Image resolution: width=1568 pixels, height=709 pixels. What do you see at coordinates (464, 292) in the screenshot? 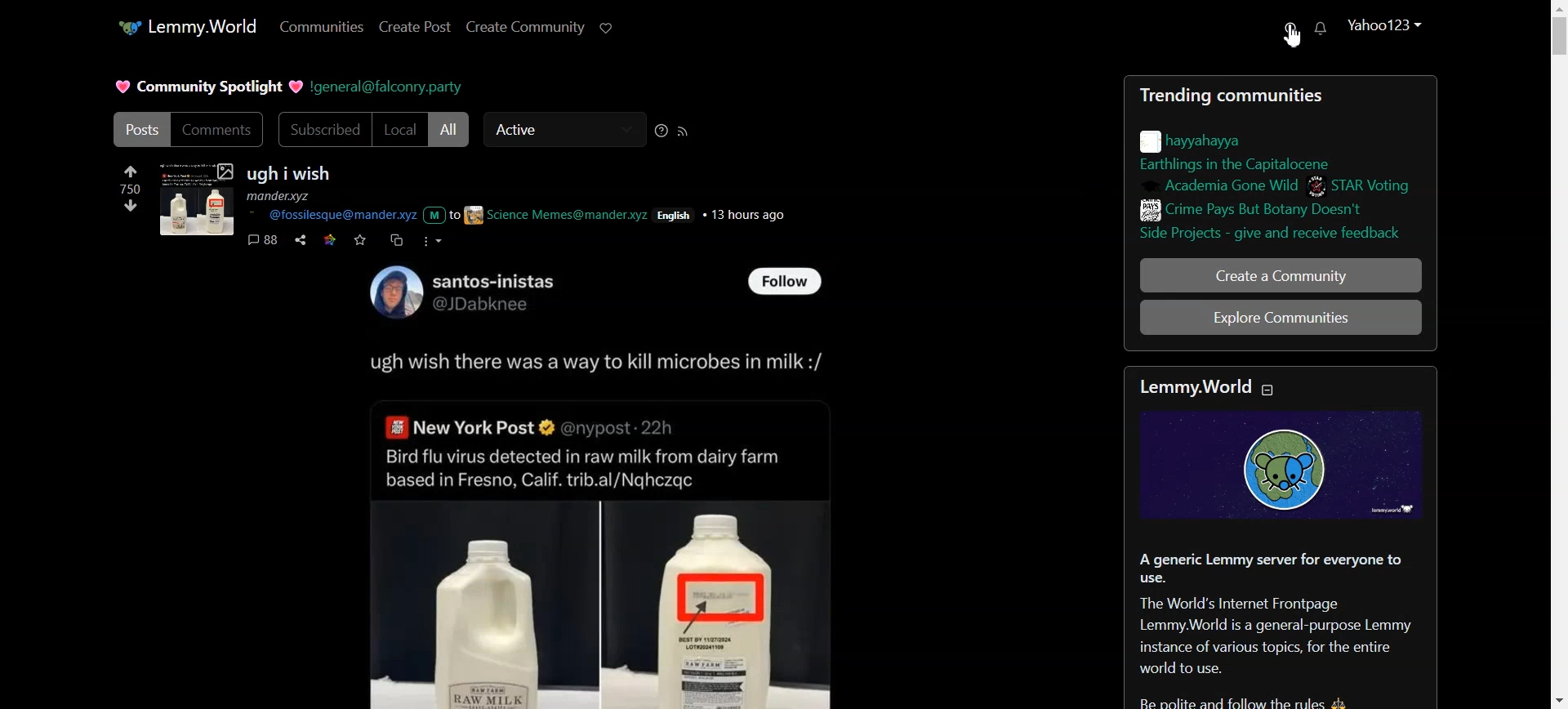
I see `Text` at bounding box center [464, 292].